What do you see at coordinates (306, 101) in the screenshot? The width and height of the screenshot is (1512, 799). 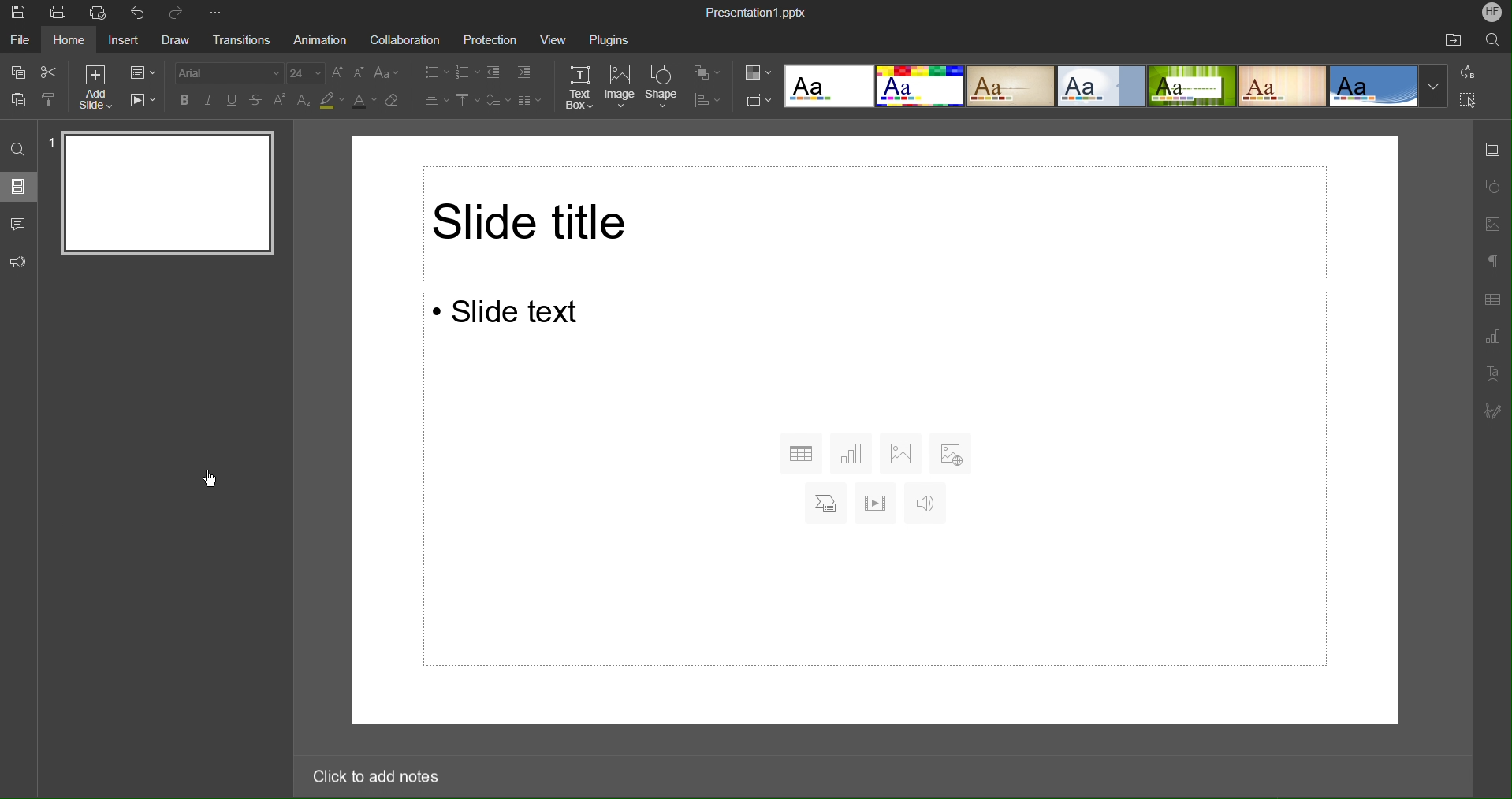 I see `subscript` at bounding box center [306, 101].